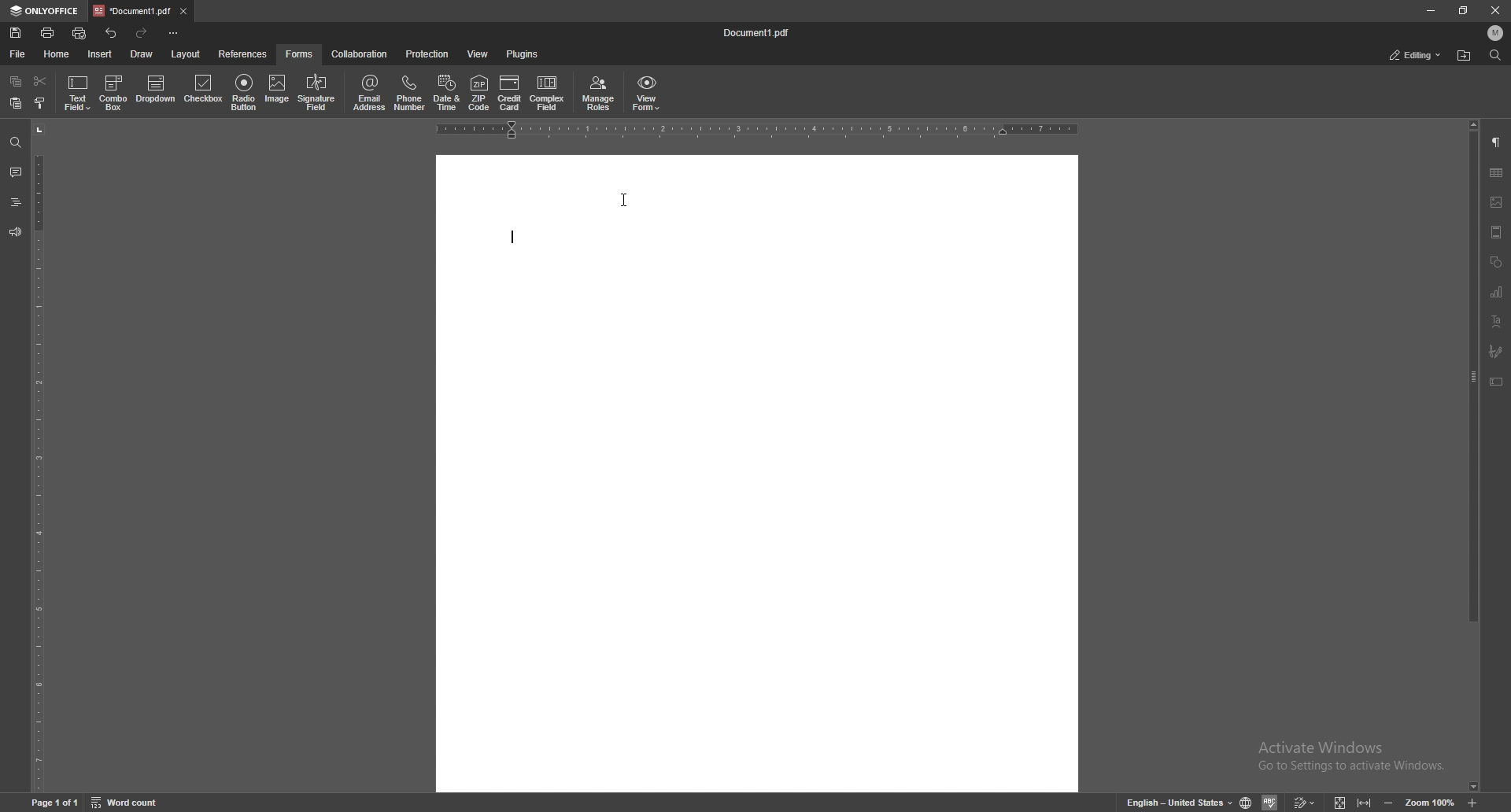 The width and height of the screenshot is (1511, 812). I want to click on fit to width, so click(1365, 803).